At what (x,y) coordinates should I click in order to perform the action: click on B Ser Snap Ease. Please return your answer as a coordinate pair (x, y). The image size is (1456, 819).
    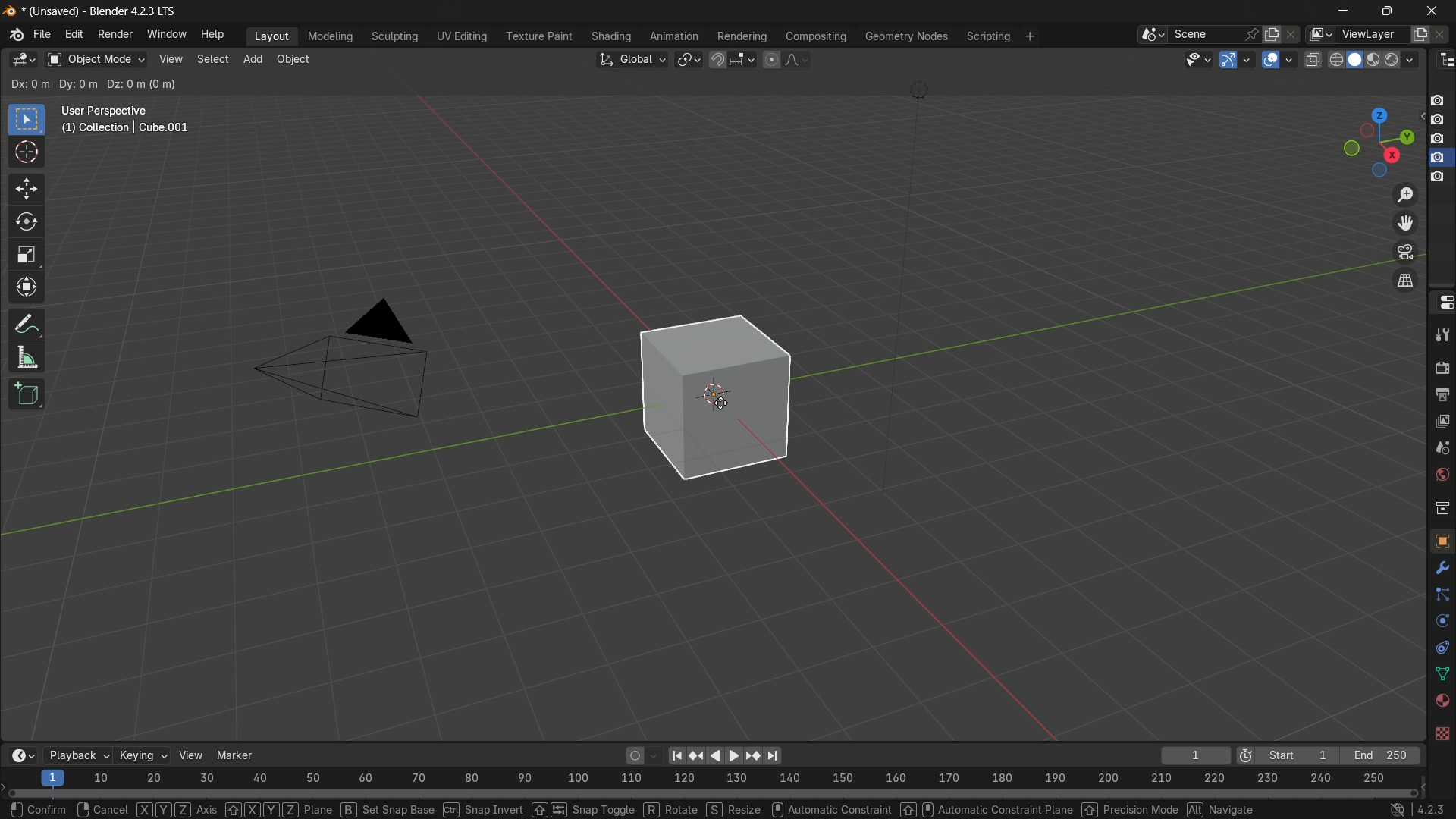
    Looking at the image, I should click on (385, 808).